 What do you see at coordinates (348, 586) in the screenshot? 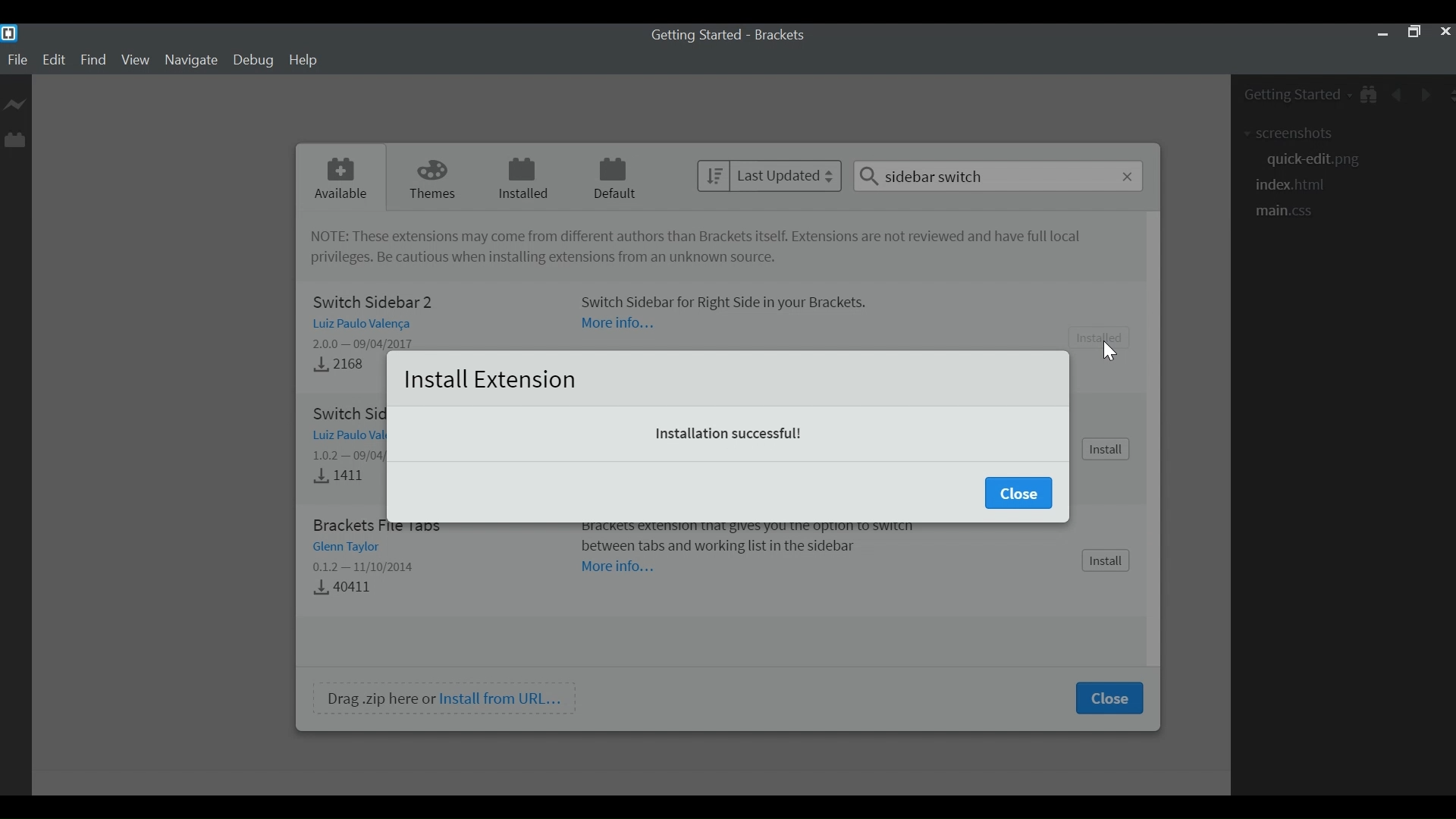
I see `Download` at bounding box center [348, 586].